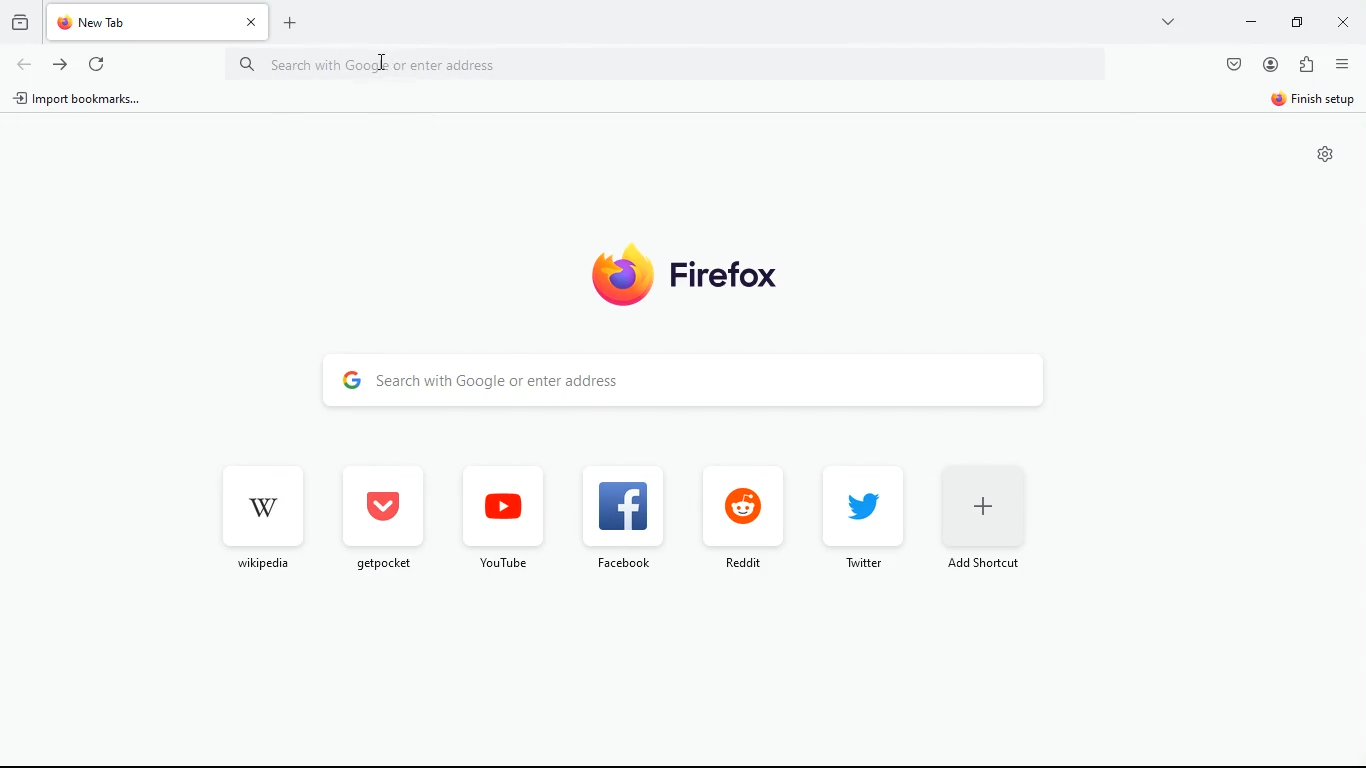 This screenshot has height=768, width=1366. I want to click on tab, so click(160, 21).